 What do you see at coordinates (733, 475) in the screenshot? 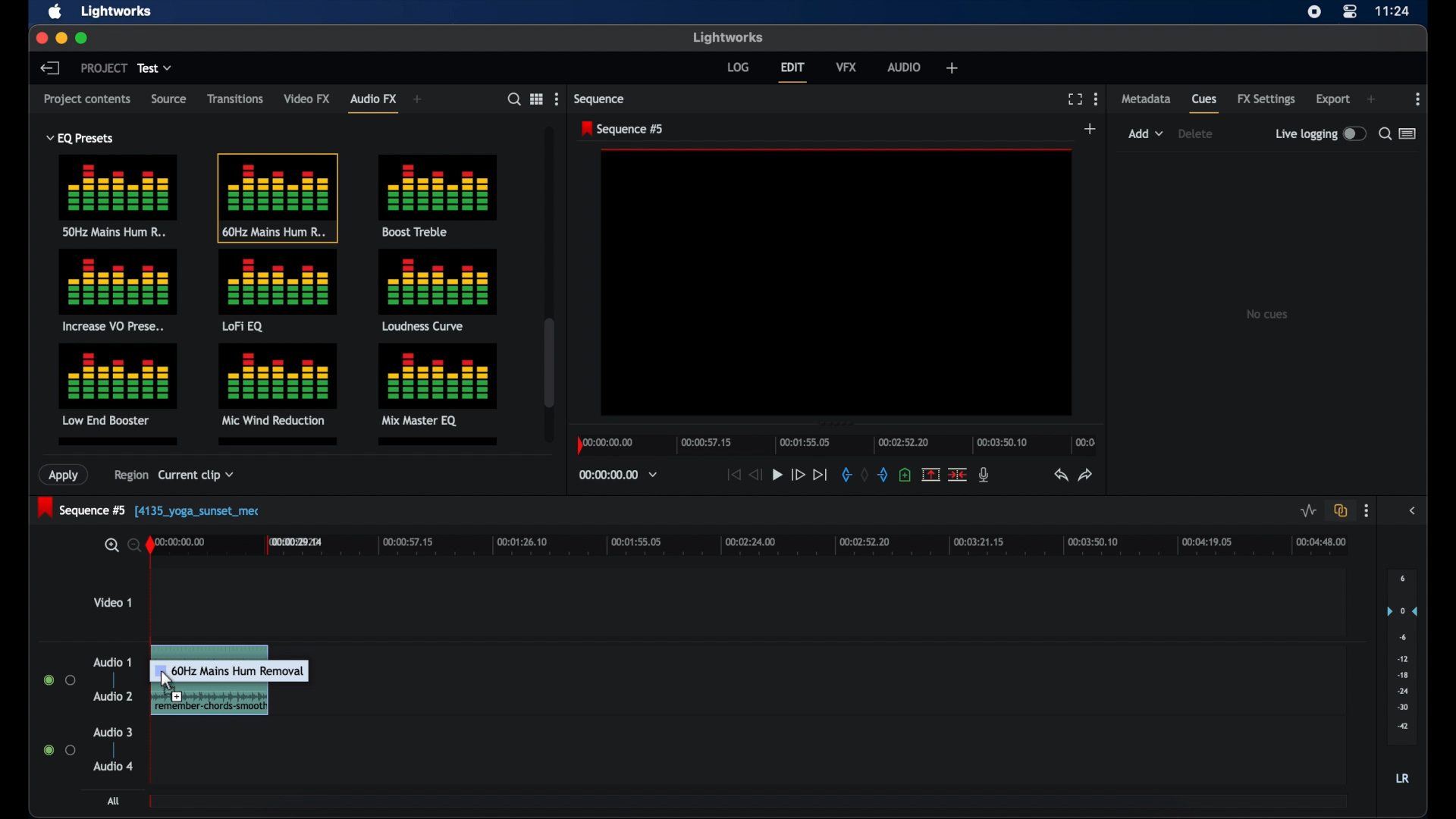
I see `jump to start` at bounding box center [733, 475].